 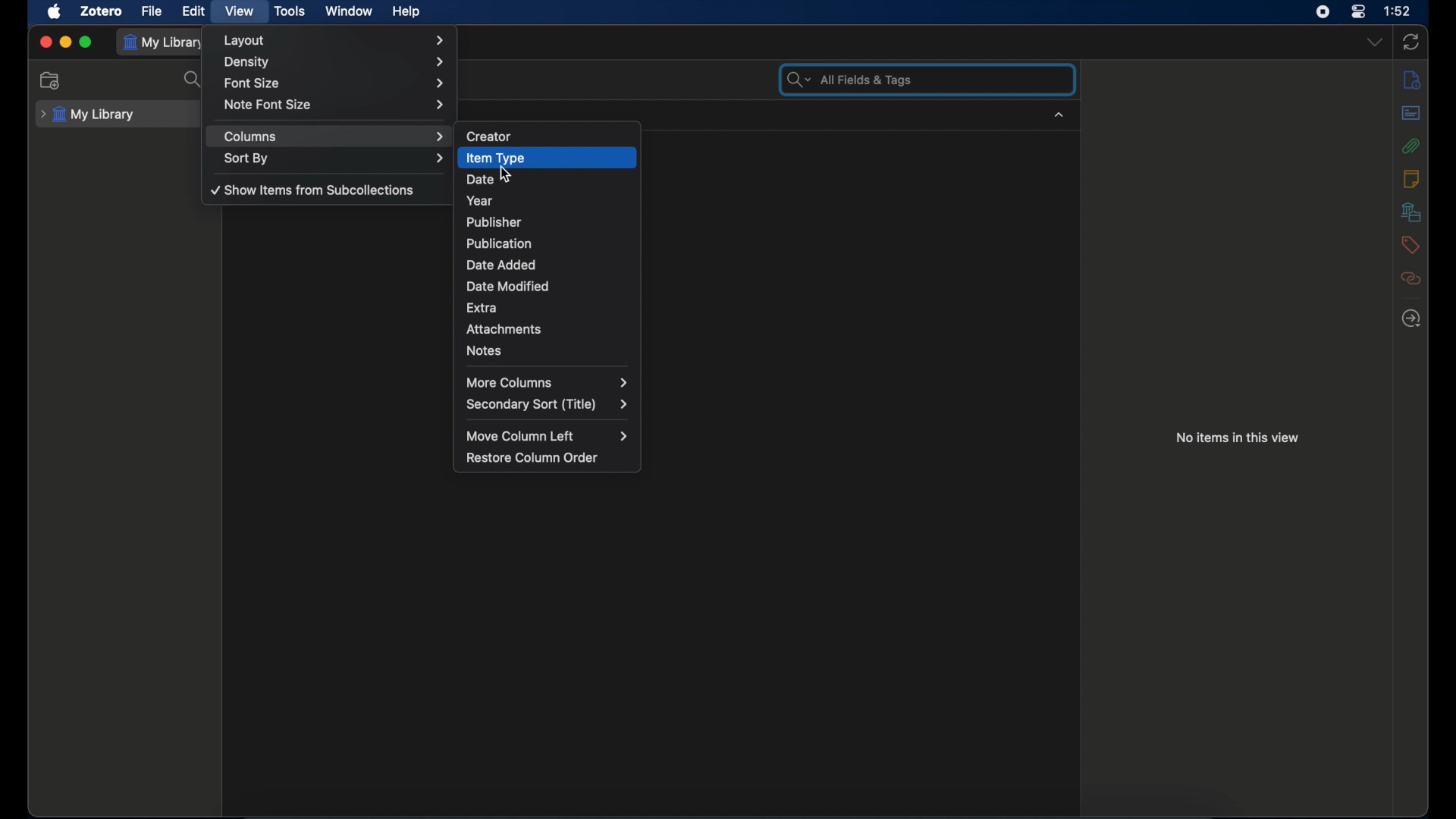 What do you see at coordinates (408, 12) in the screenshot?
I see `help` at bounding box center [408, 12].